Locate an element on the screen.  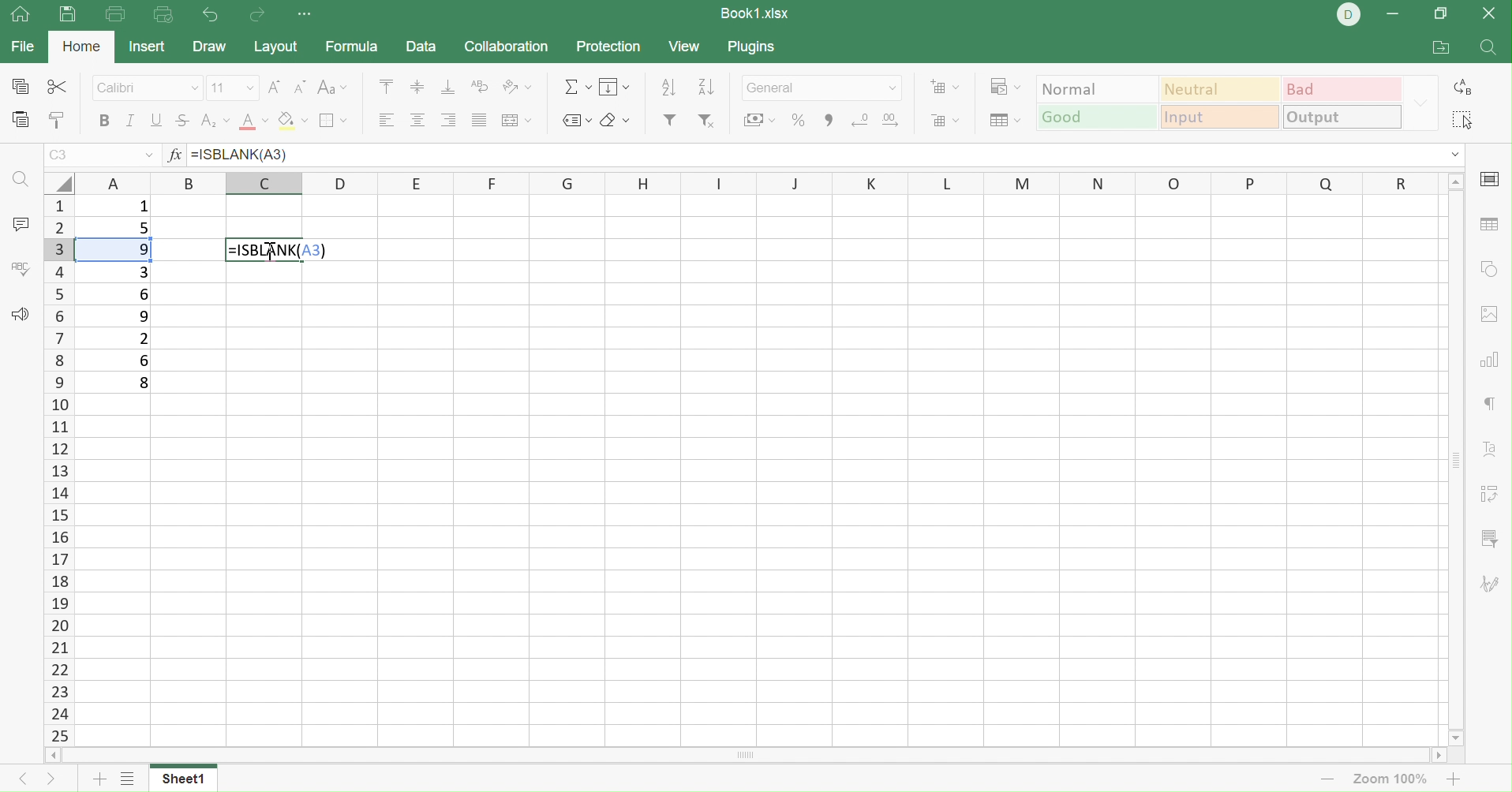
A1 is located at coordinates (60, 156).